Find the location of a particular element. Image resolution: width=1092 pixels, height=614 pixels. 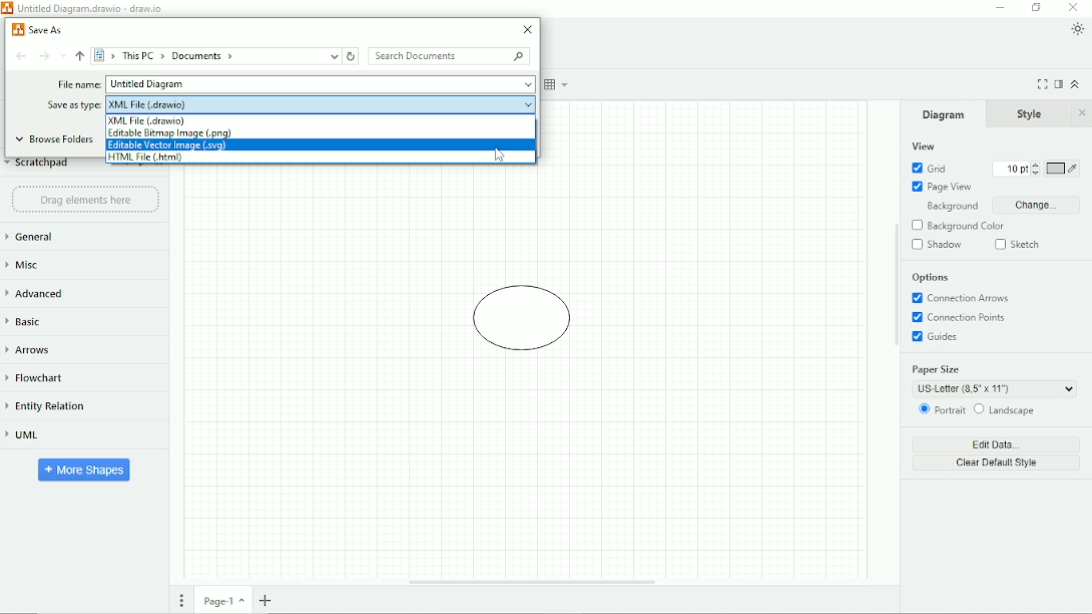

Change is located at coordinates (1041, 205).